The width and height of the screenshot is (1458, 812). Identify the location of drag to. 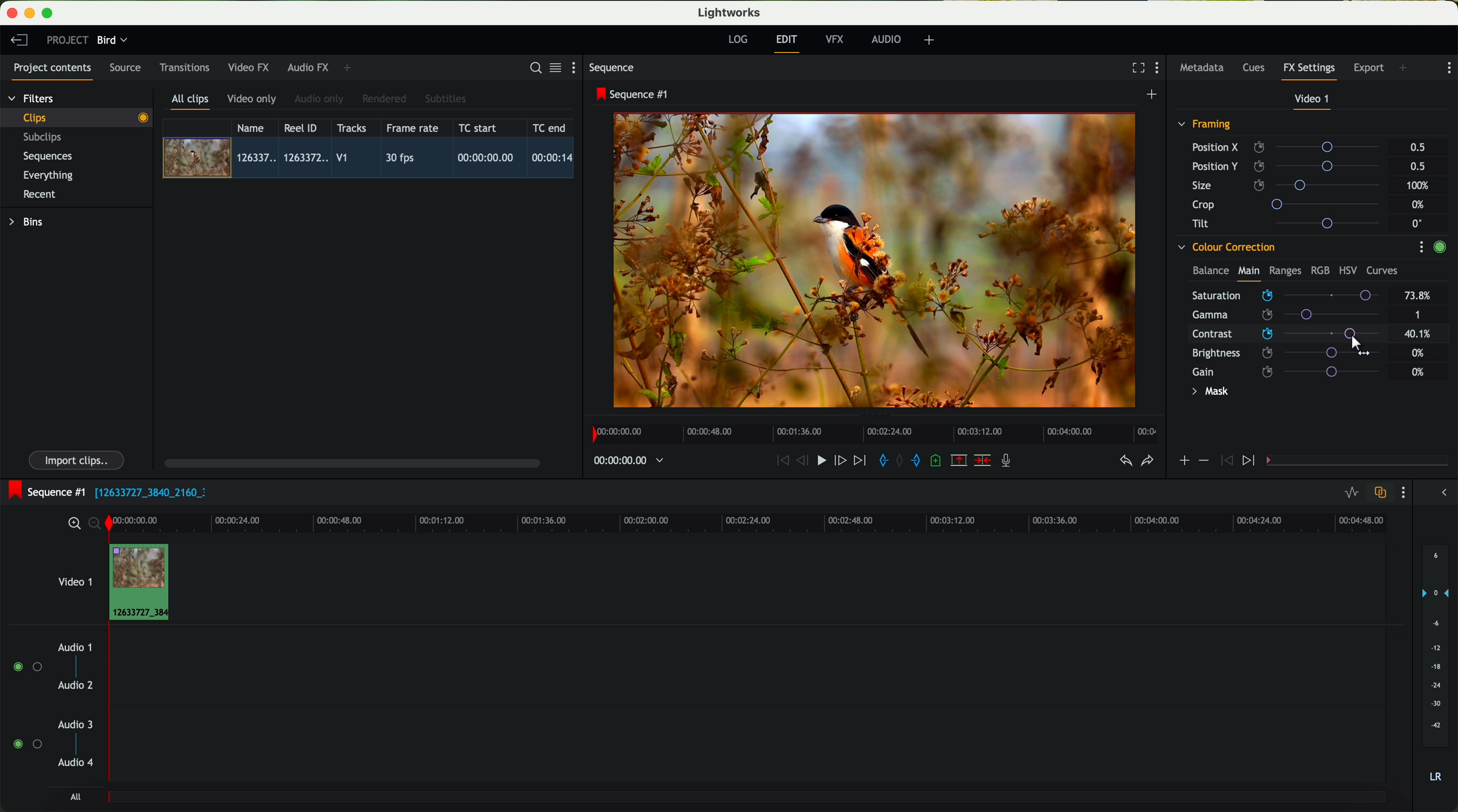
(1355, 340).